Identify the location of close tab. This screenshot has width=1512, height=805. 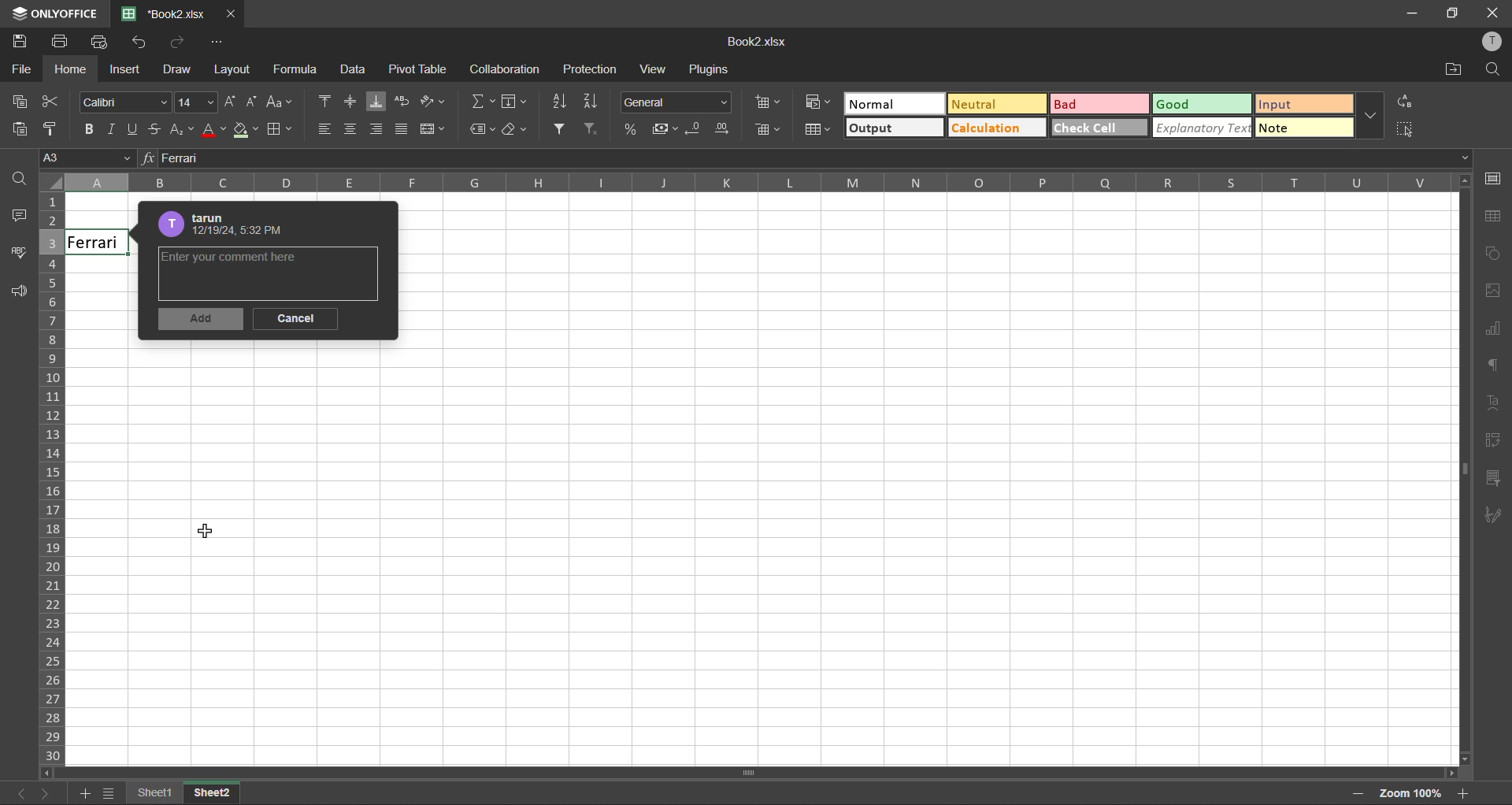
(229, 12).